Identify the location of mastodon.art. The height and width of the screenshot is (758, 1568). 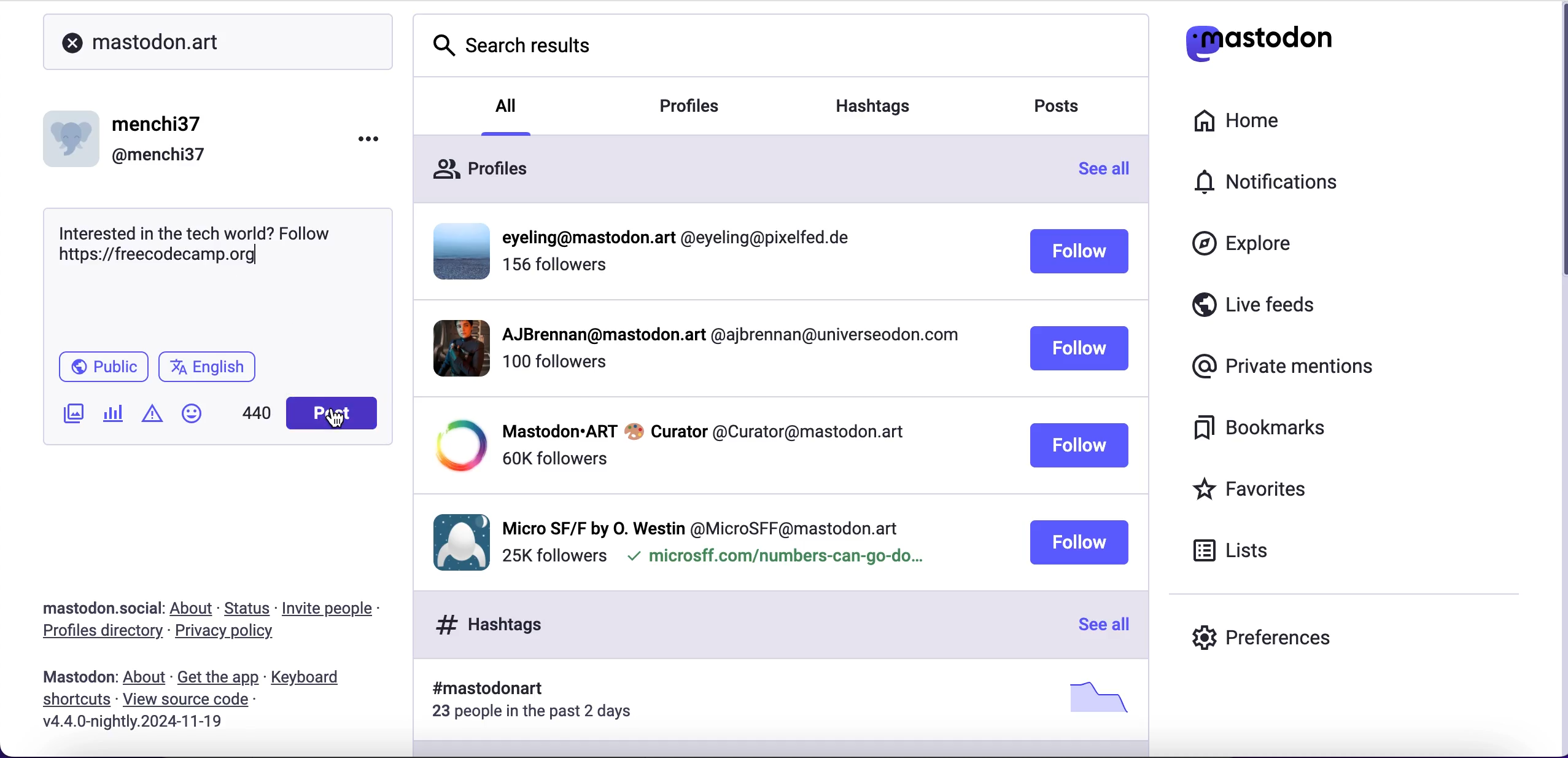
(195, 42).